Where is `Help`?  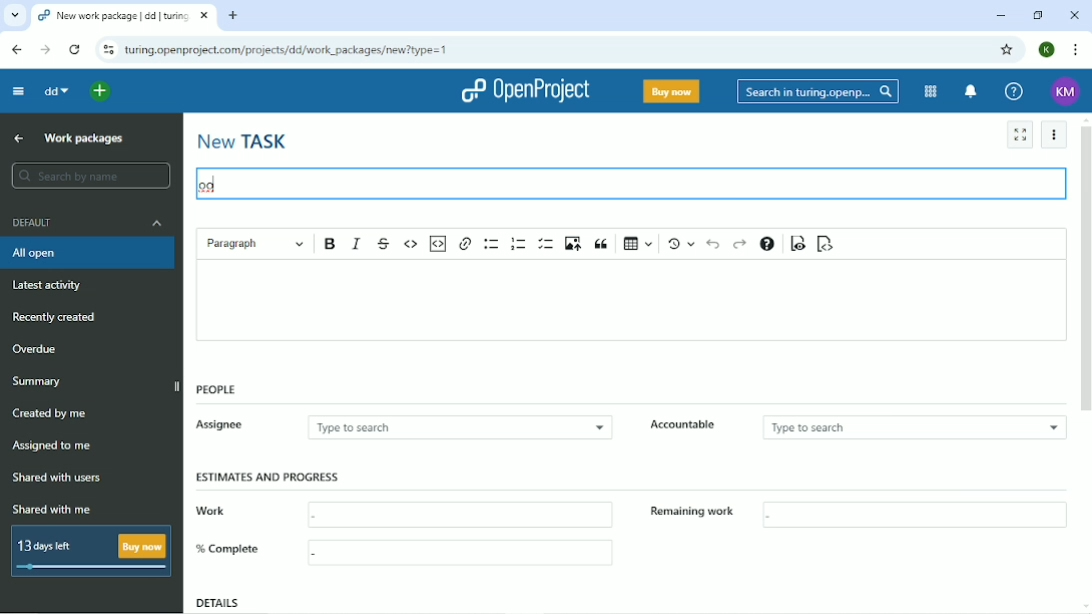 Help is located at coordinates (1014, 91).